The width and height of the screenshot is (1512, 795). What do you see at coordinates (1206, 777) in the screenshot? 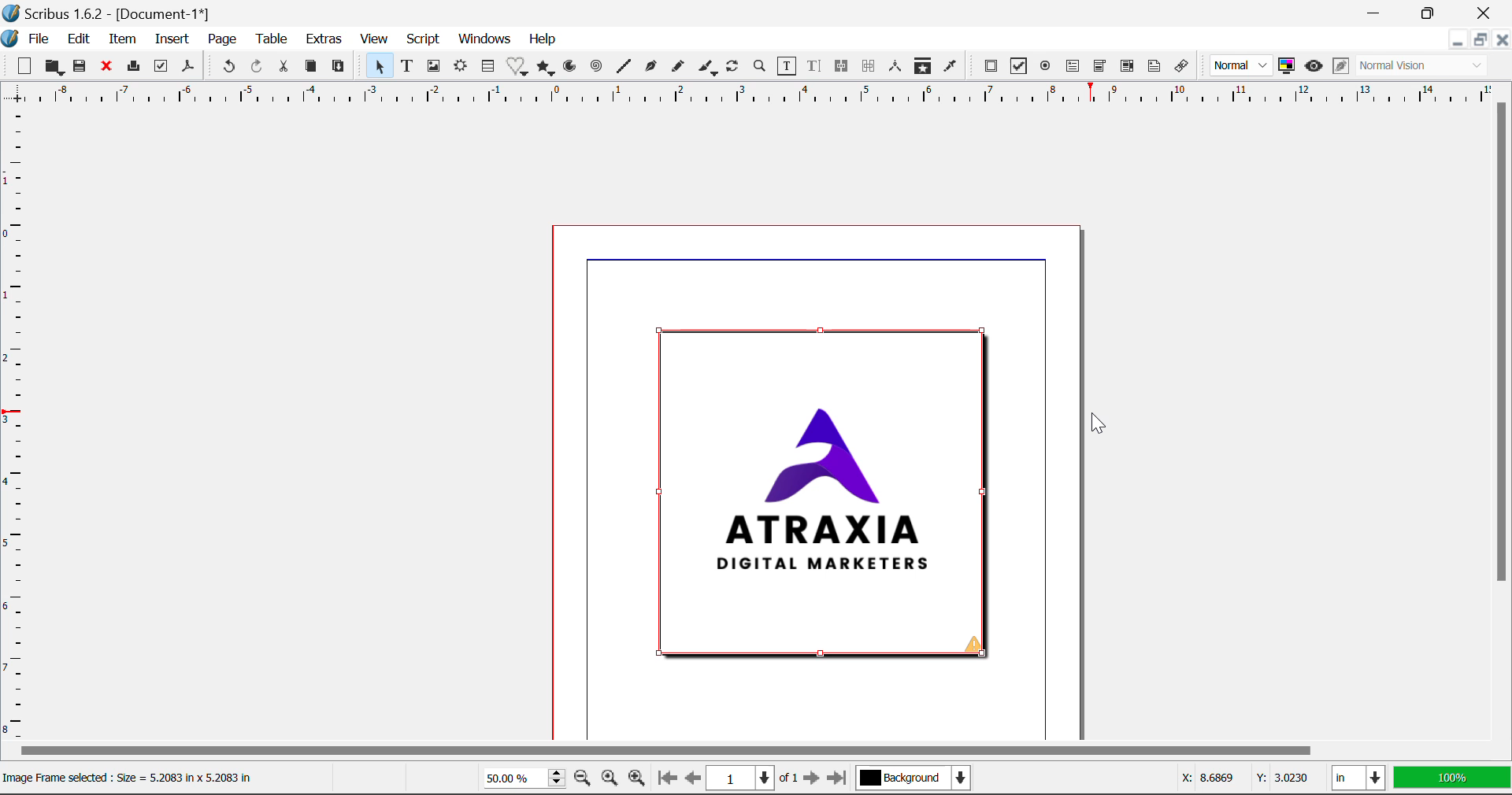
I see `X: 8.6869` at bounding box center [1206, 777].